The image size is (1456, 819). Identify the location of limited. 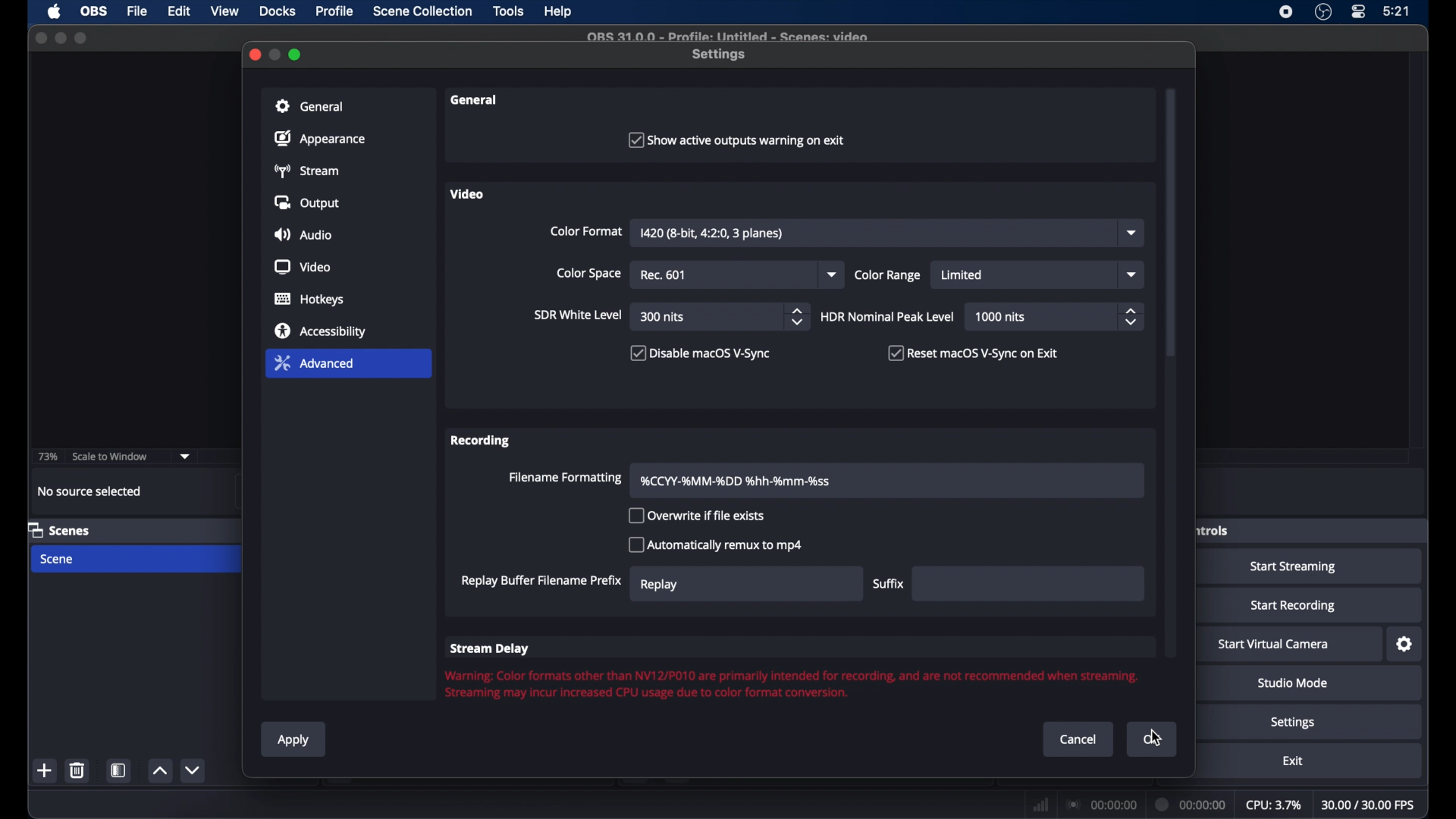
(963, 275).